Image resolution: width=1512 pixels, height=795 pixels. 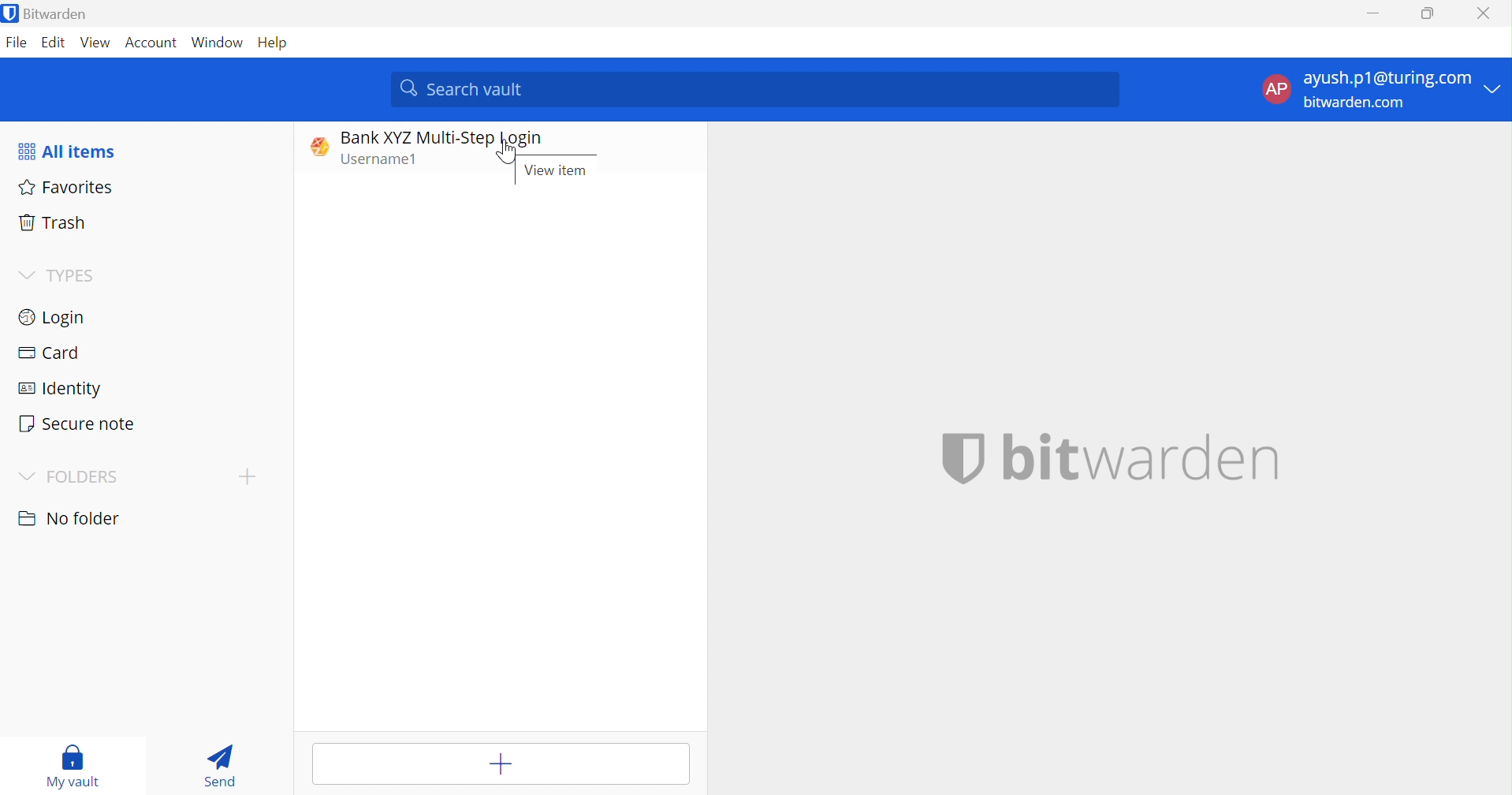 I want to click on Add item, so click(x=501, y=764).